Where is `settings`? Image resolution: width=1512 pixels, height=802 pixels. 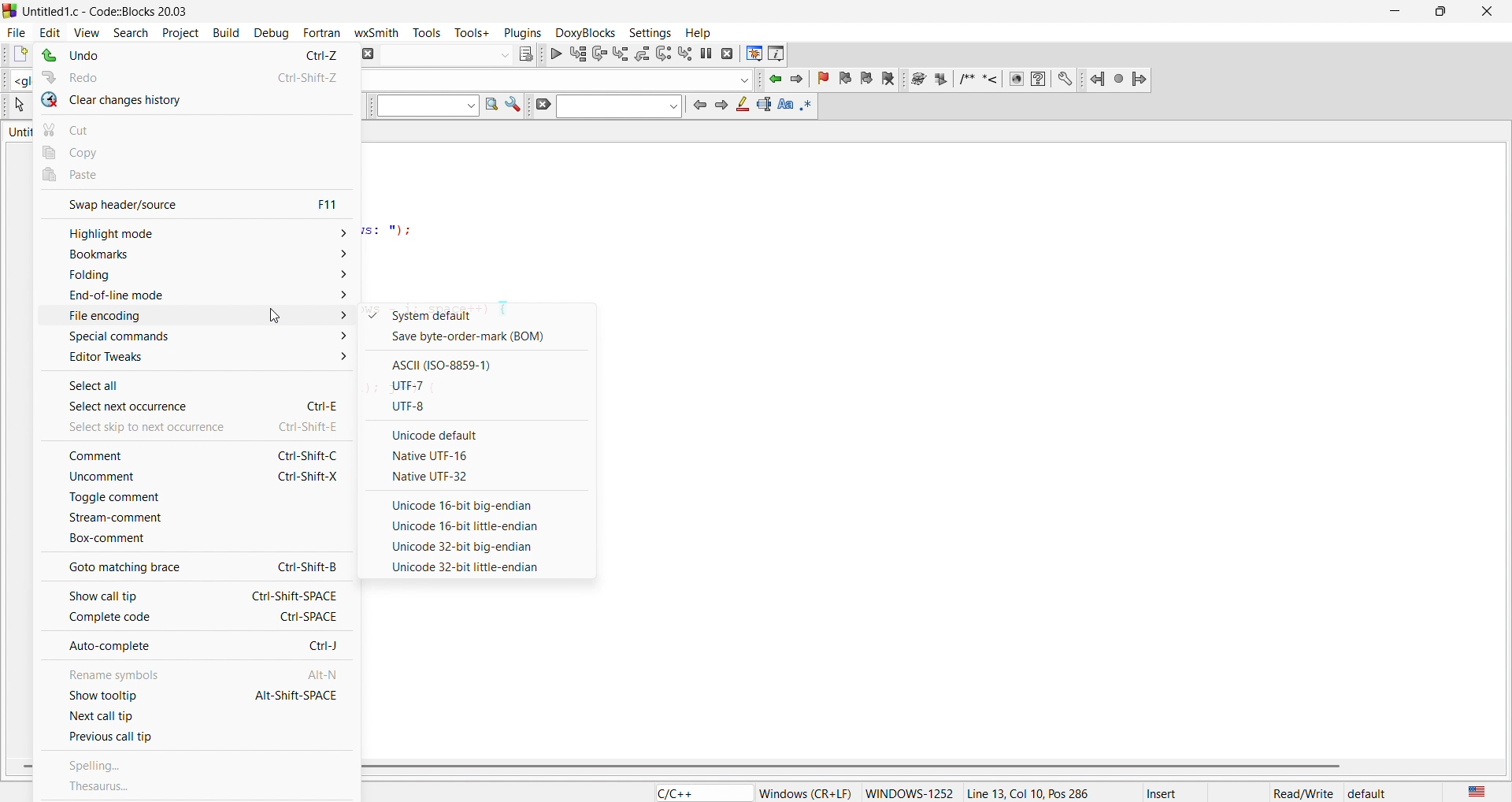
settings is located at coordinates (510, 105).